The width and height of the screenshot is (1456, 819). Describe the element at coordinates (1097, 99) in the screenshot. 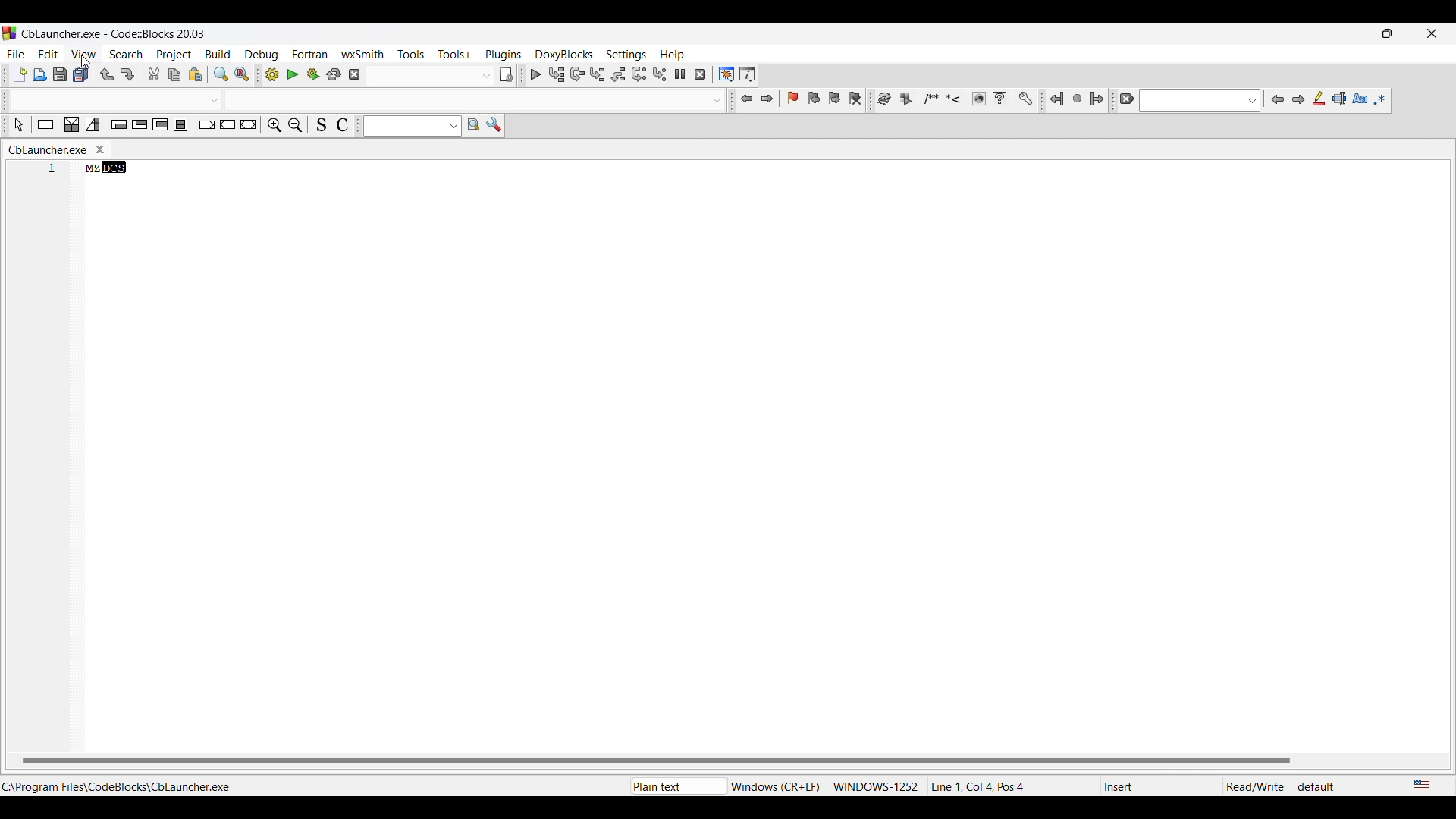

I see `Jump forward` at that location.